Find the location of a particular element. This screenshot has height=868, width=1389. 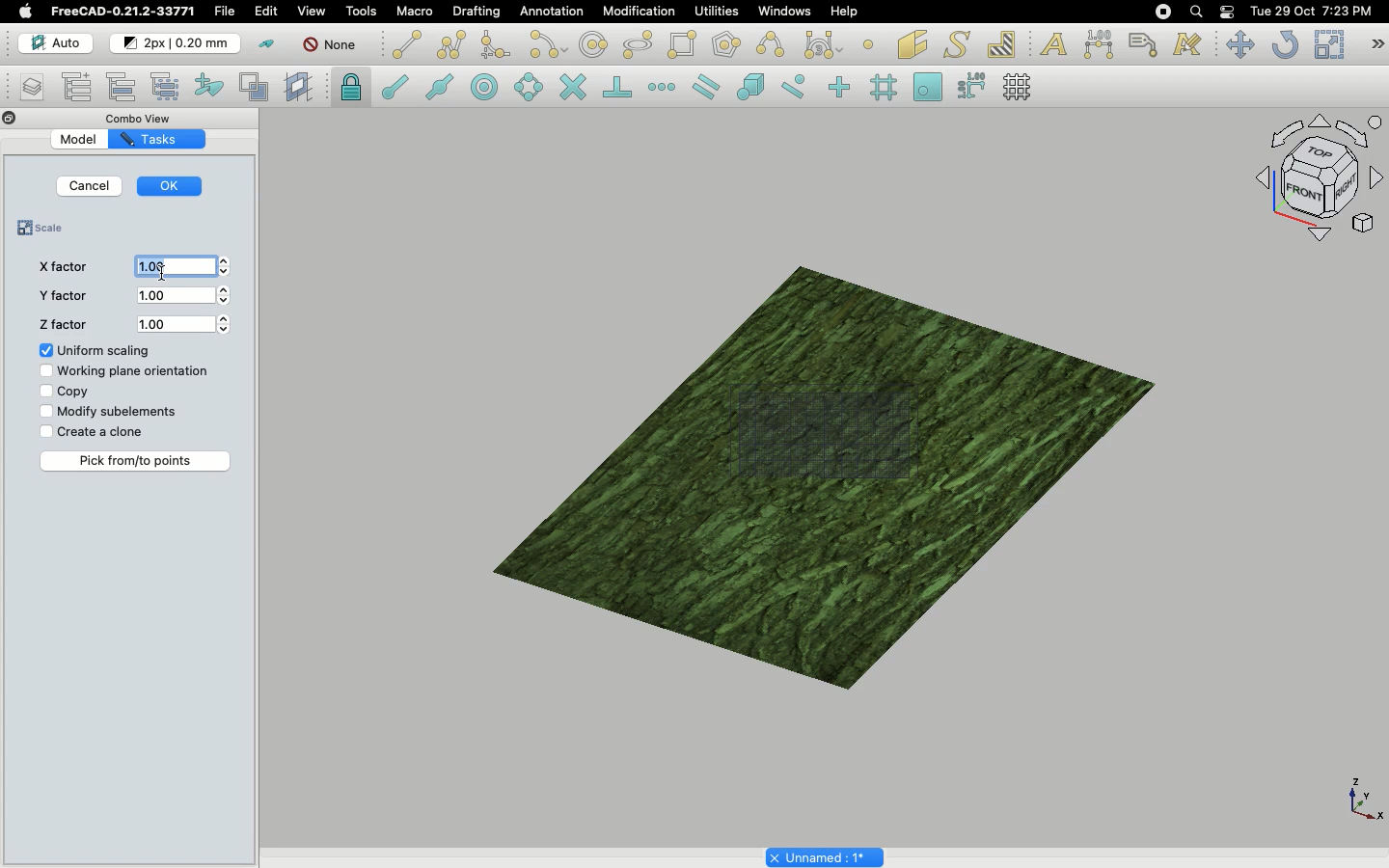

Modify subelements is located at coordinates (112, 412).